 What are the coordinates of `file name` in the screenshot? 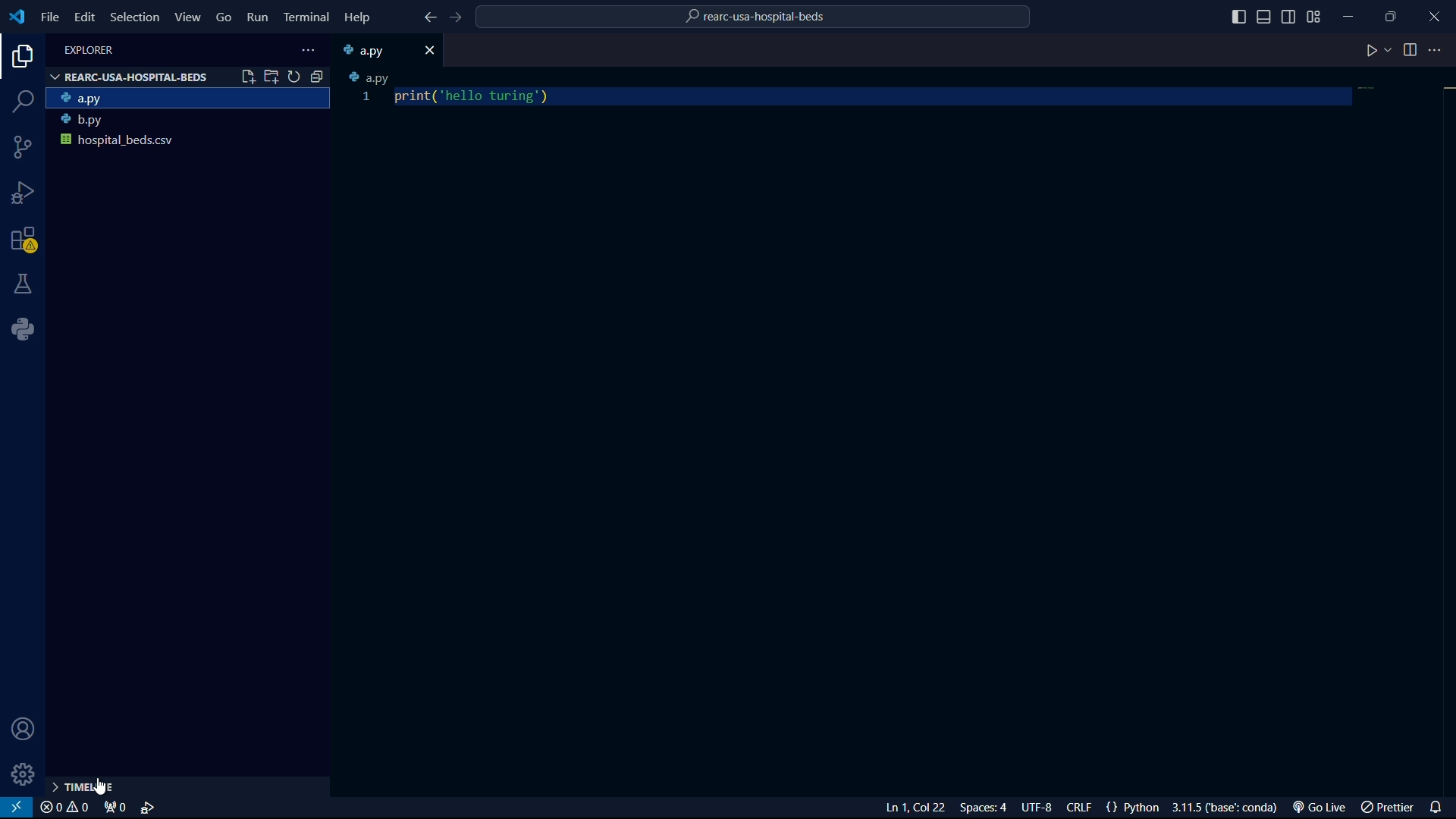 It's located at (89, 49).